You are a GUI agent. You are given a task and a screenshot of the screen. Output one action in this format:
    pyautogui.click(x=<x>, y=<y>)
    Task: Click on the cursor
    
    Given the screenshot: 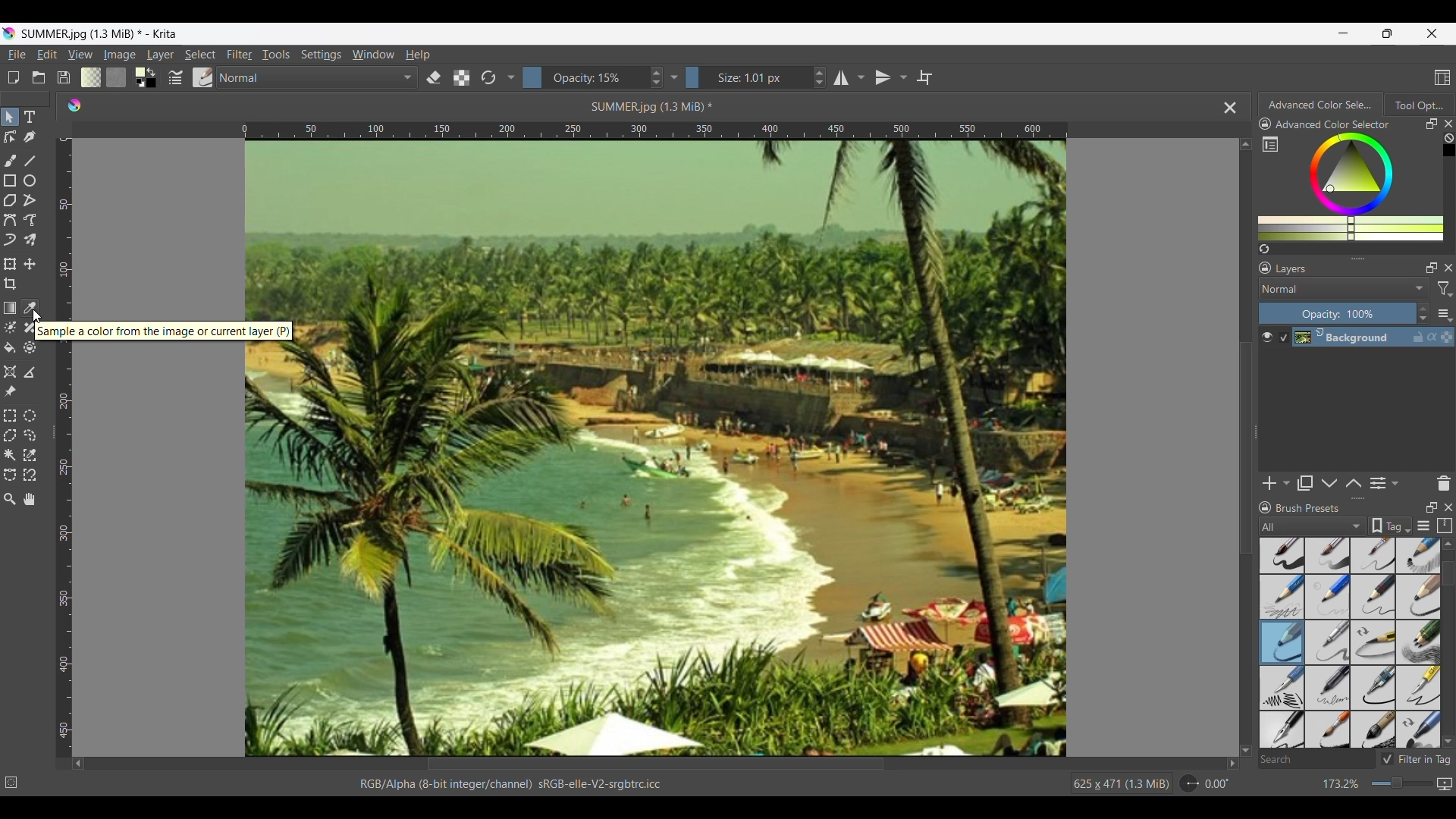 What is the action you would take?
    pyautogui.click(x=39, y=316)
    